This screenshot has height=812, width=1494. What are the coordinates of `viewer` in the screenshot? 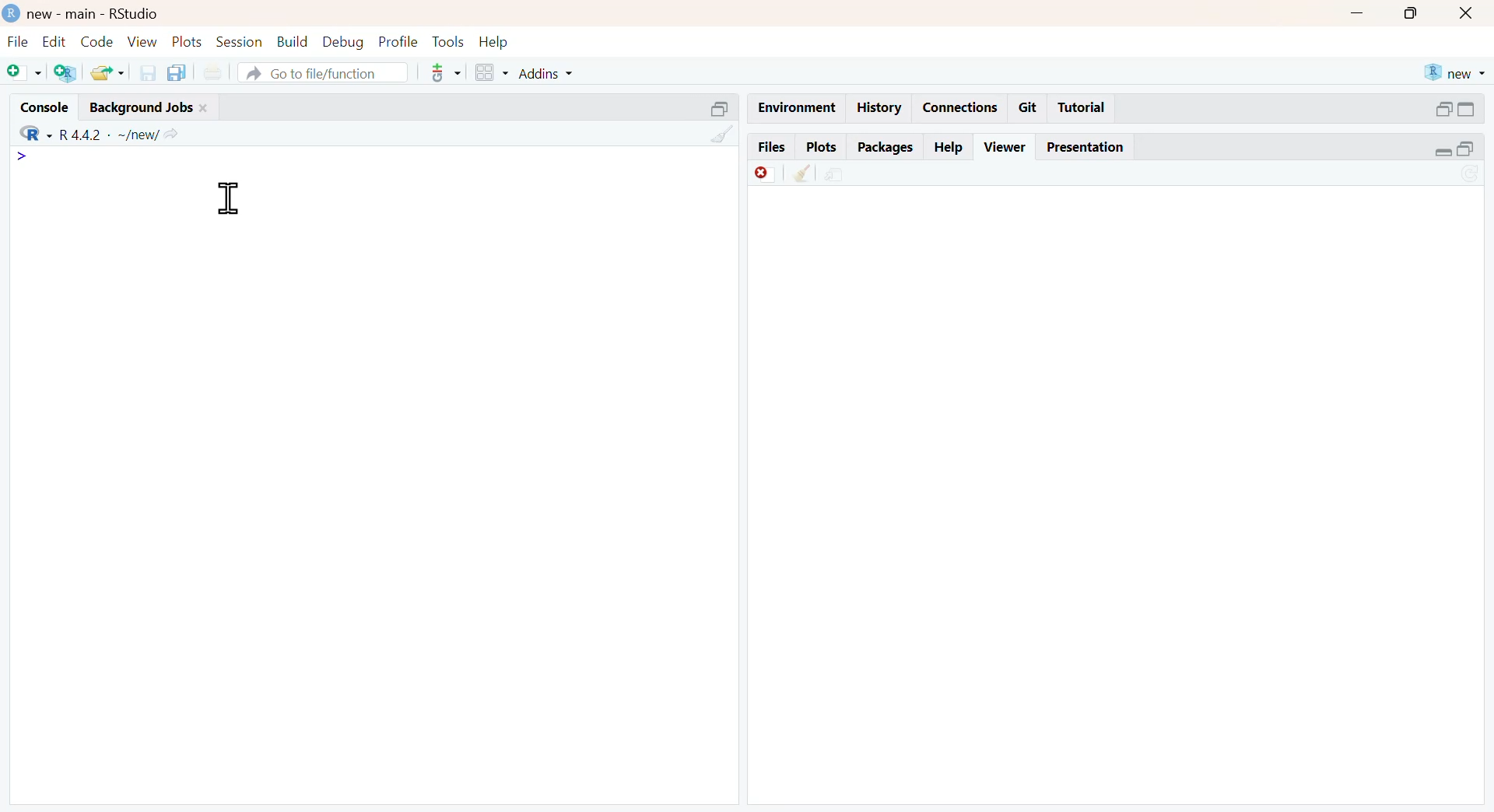 It's located at (1005, 147).